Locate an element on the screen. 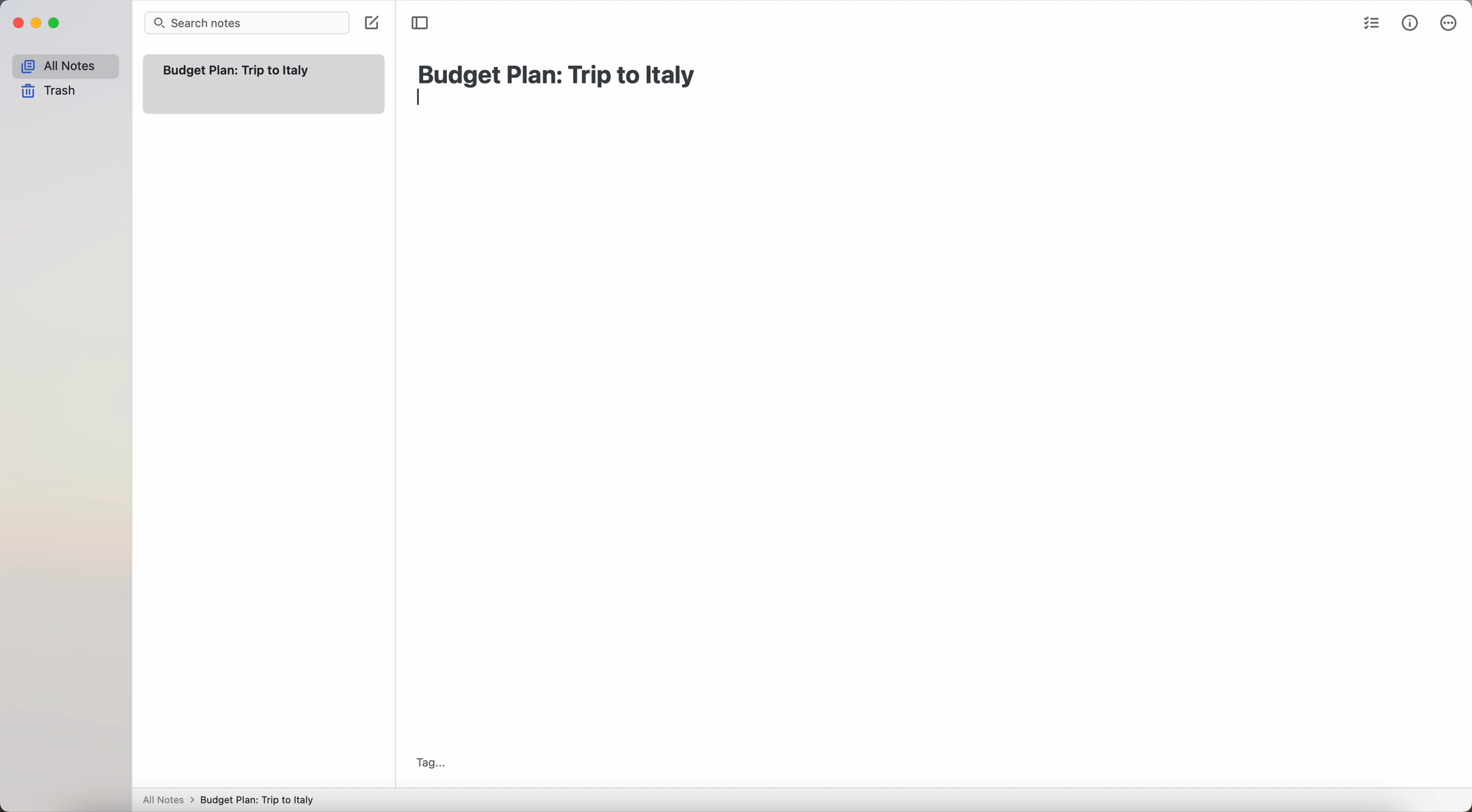  enter is located at coordinates (422, 98).